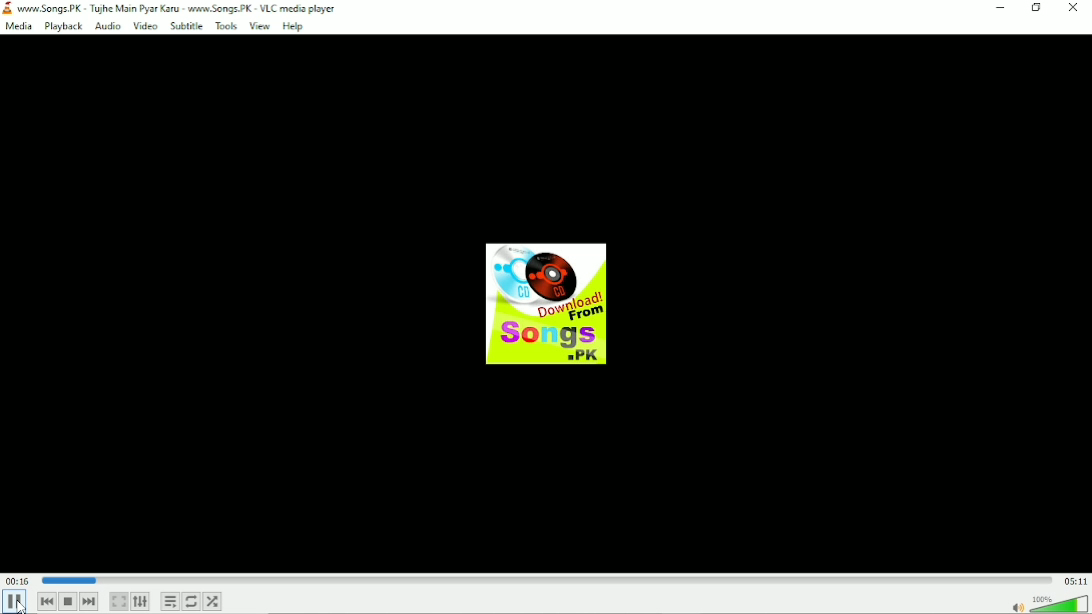 The image size is (1092, 614). I want to click on Video, so click(145, 26).